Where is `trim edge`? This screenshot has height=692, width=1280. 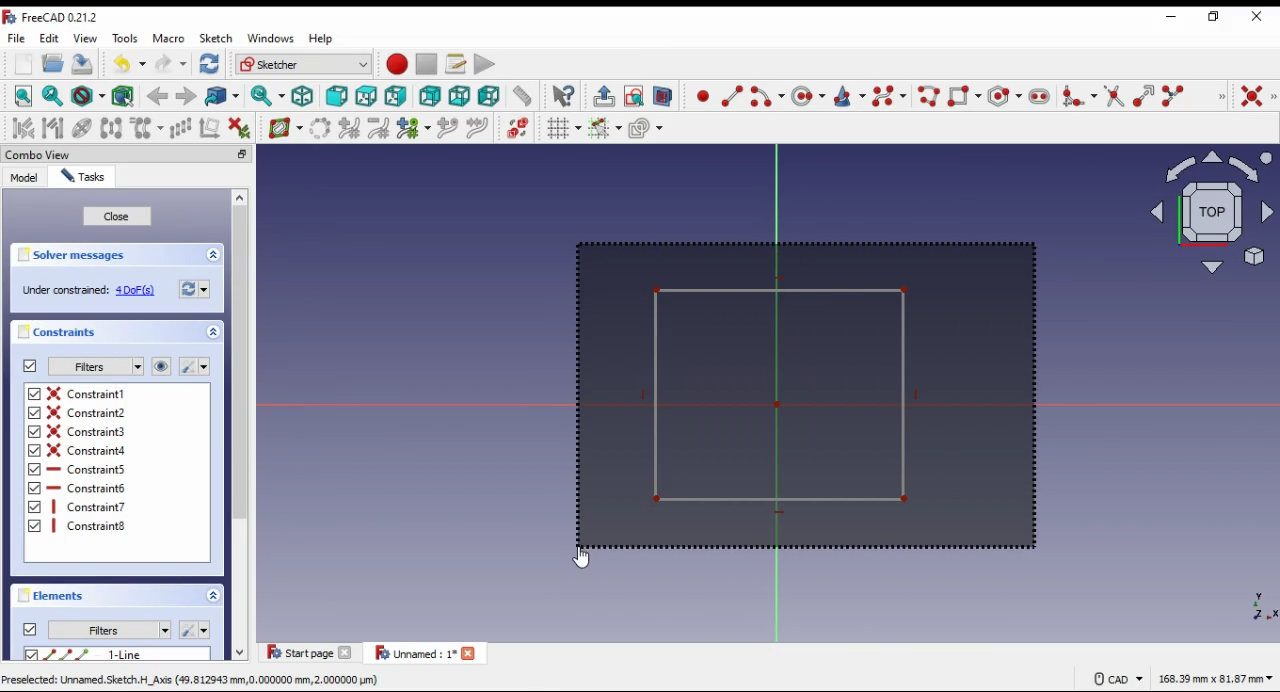 trim edge is located at coordinates (1114, 95).